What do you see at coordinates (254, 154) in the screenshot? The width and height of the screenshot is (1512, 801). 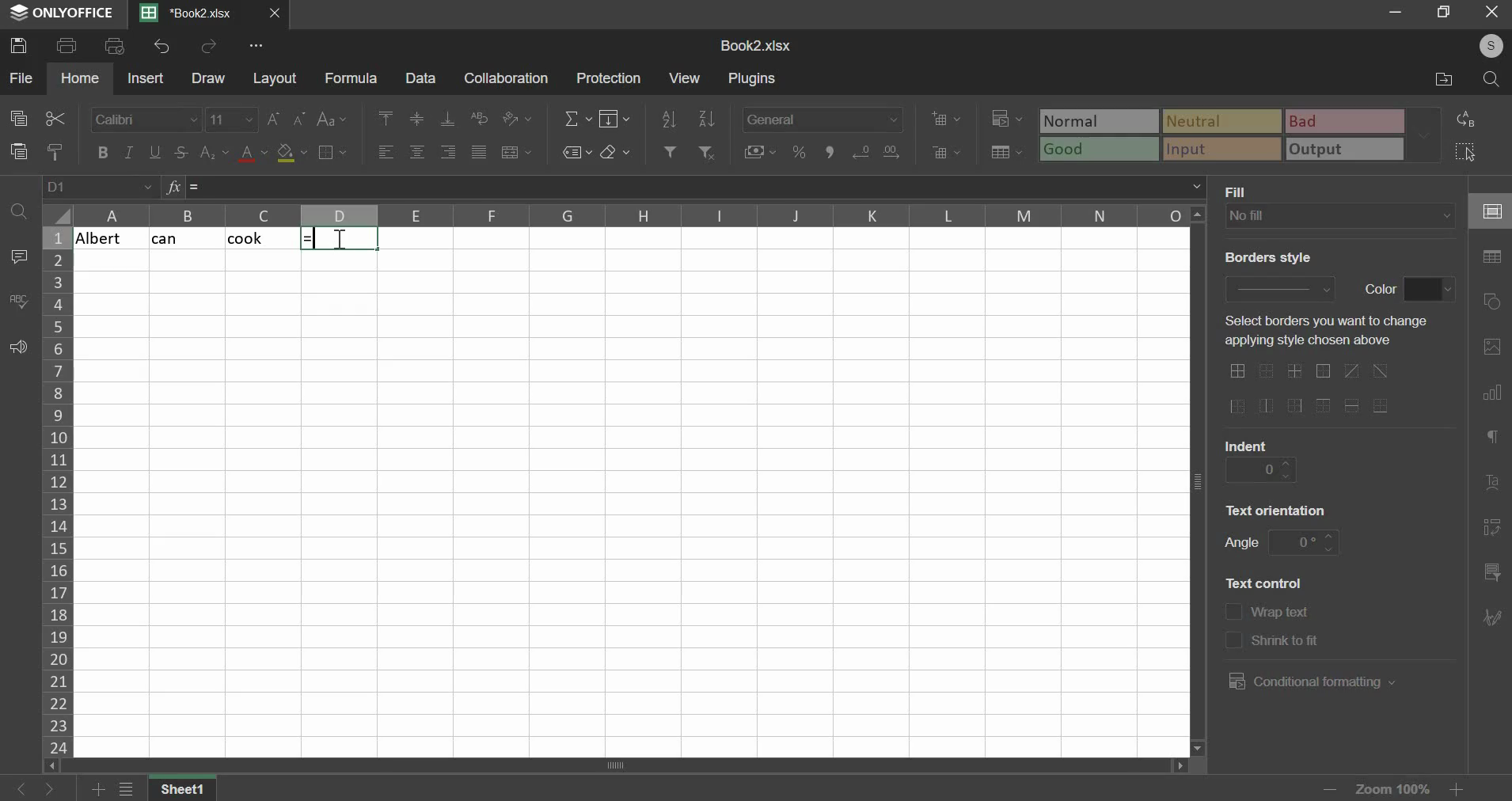 I see `text color` at bounding box center [254, 154].